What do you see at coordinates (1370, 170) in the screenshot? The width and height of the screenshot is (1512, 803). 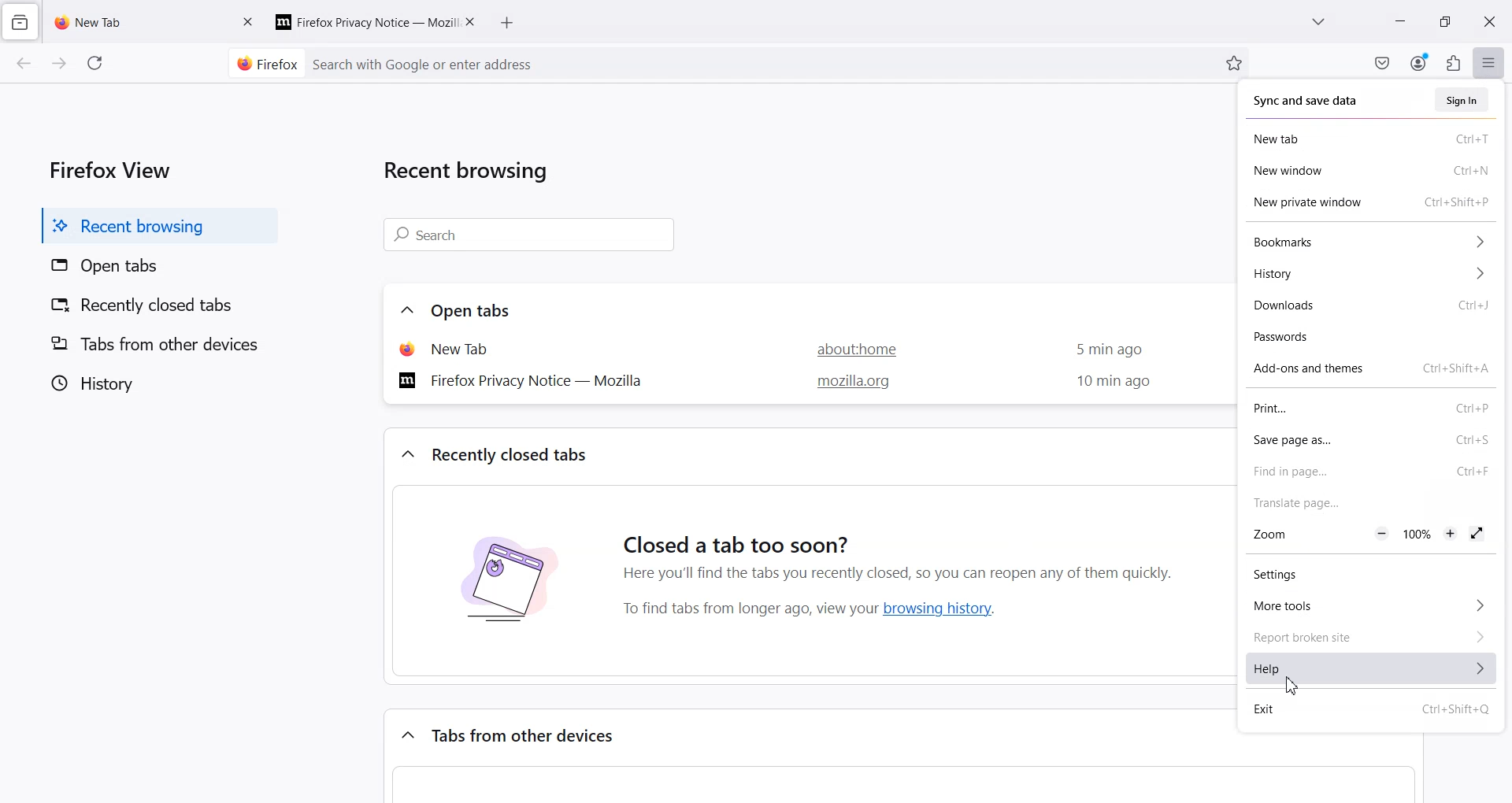 I see `New window` at bounding box center [1370, 170].